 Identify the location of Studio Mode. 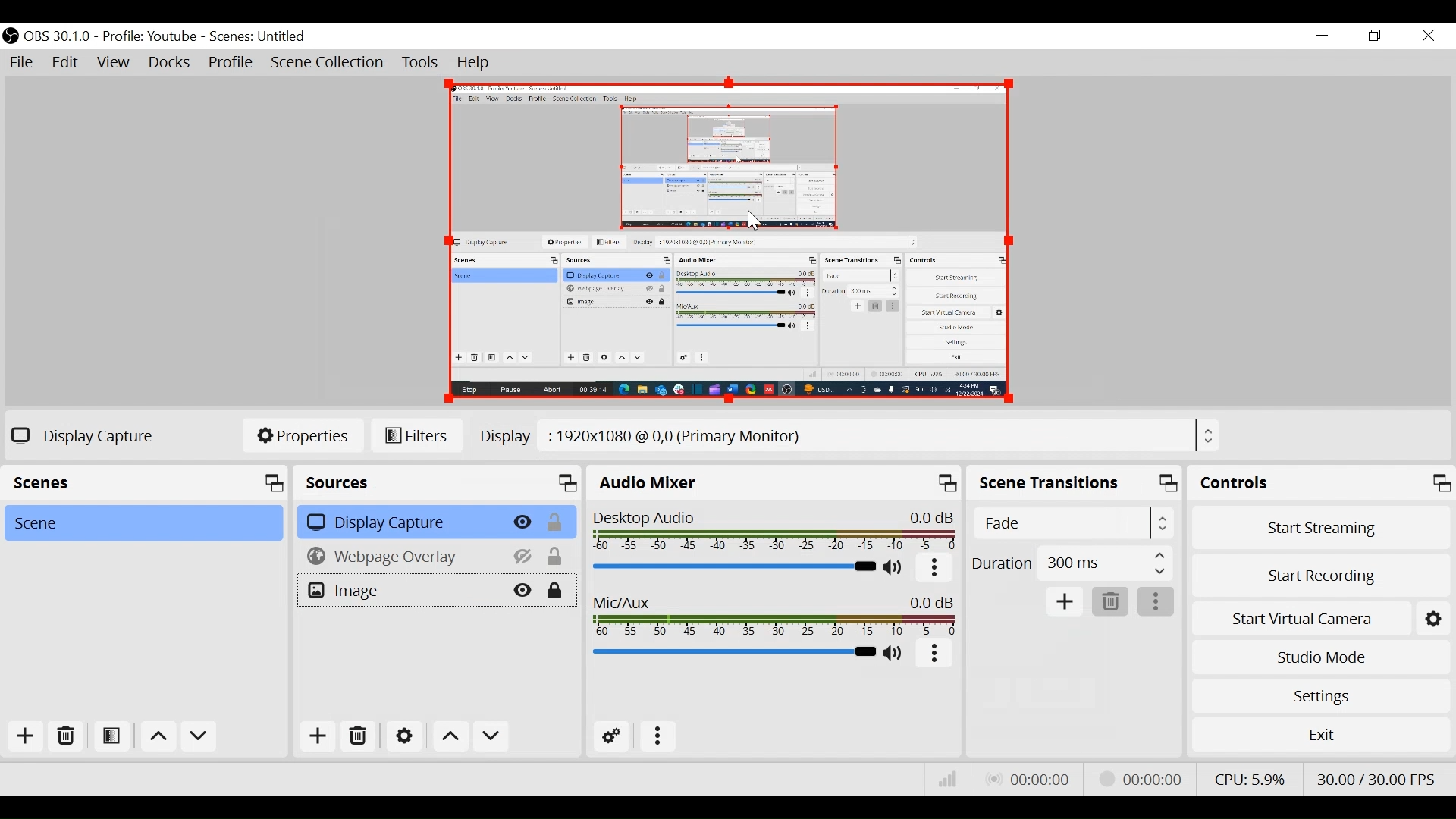
(1320, 658).